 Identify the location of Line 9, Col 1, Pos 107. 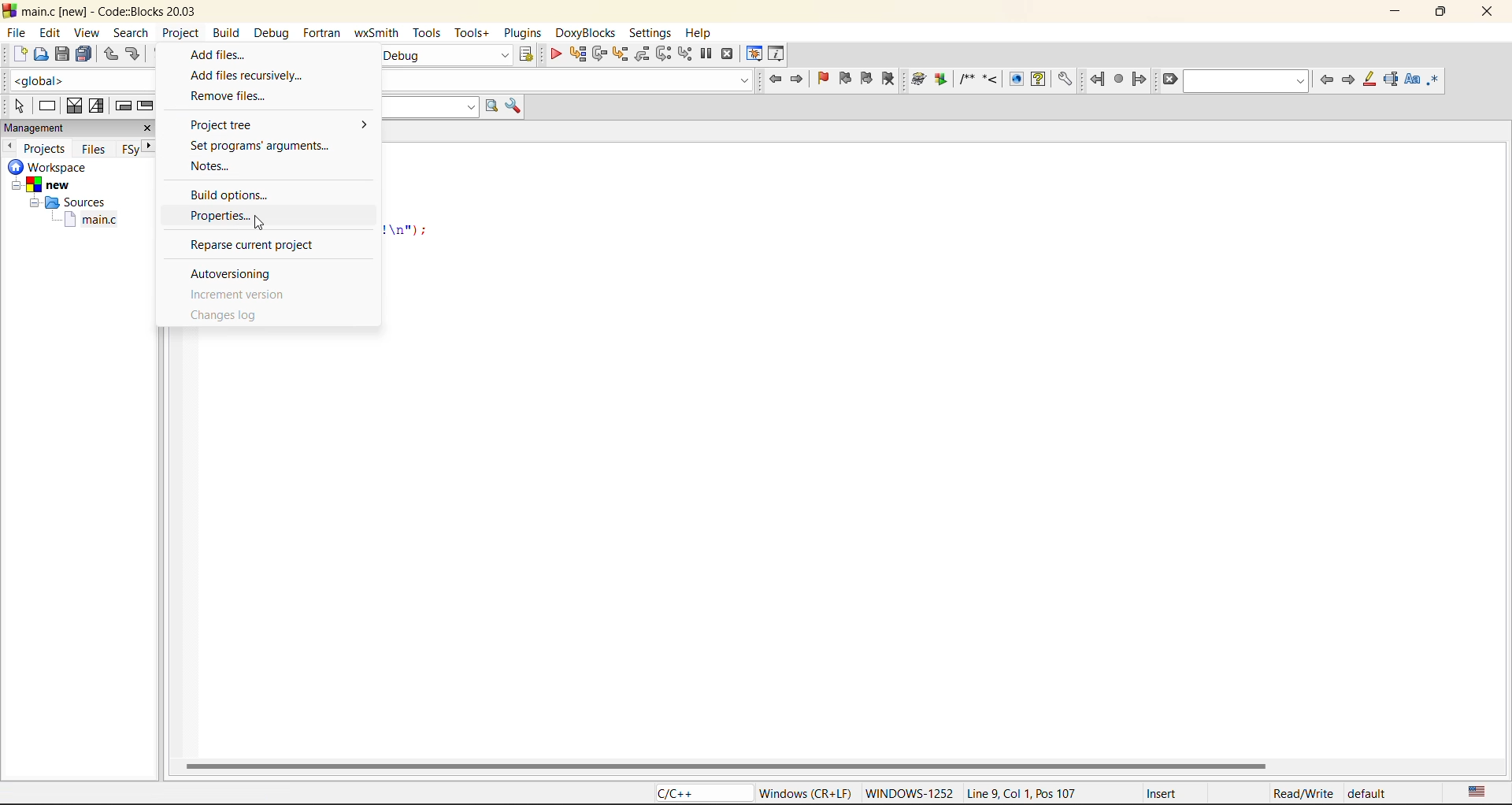
(1021, 796).